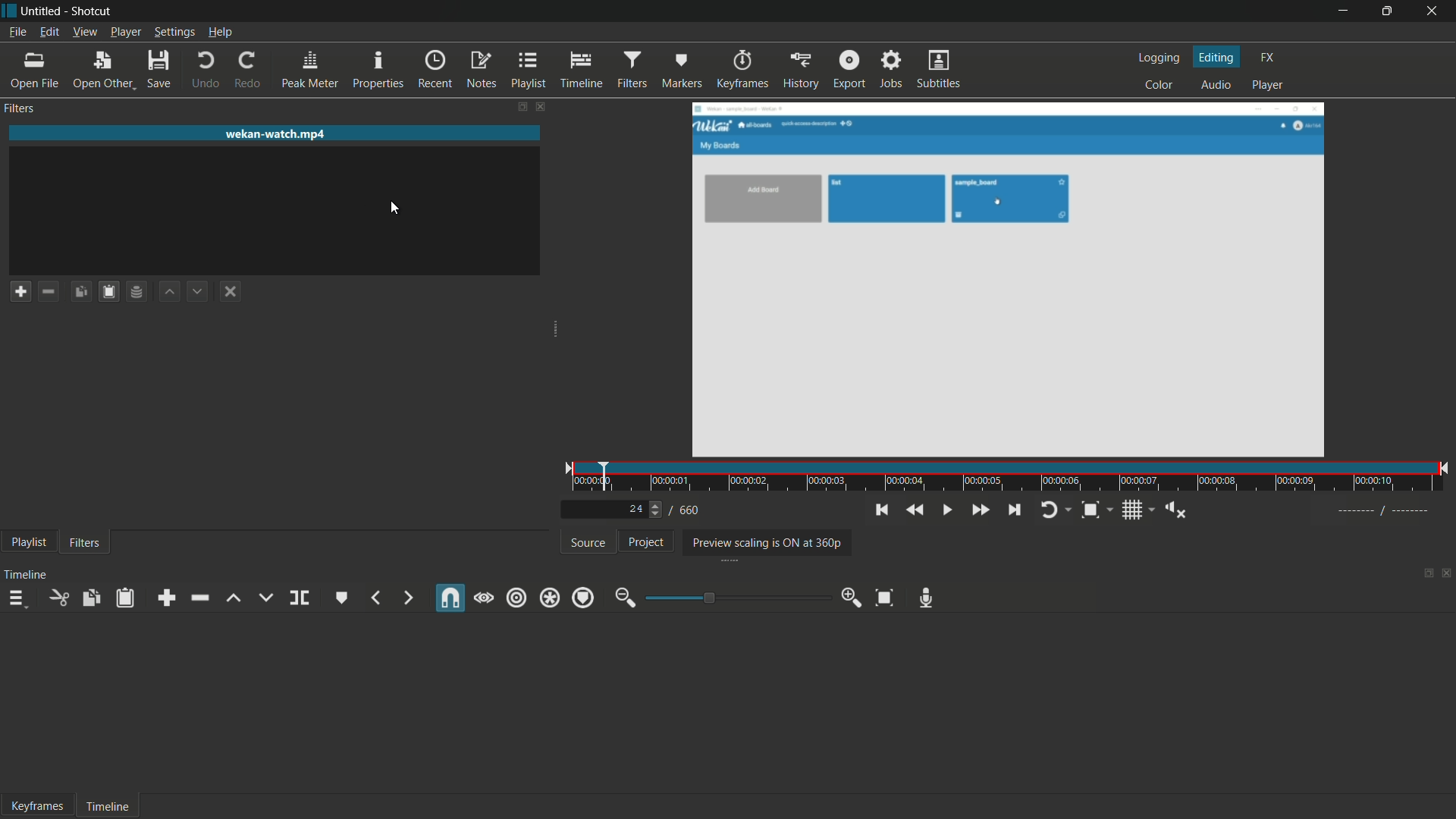 The height and width of the screenshot is (819, 1456). Describe the element at coordinates (886, 597) in the screenshot. I see `zoom timeline to fit` at that location.